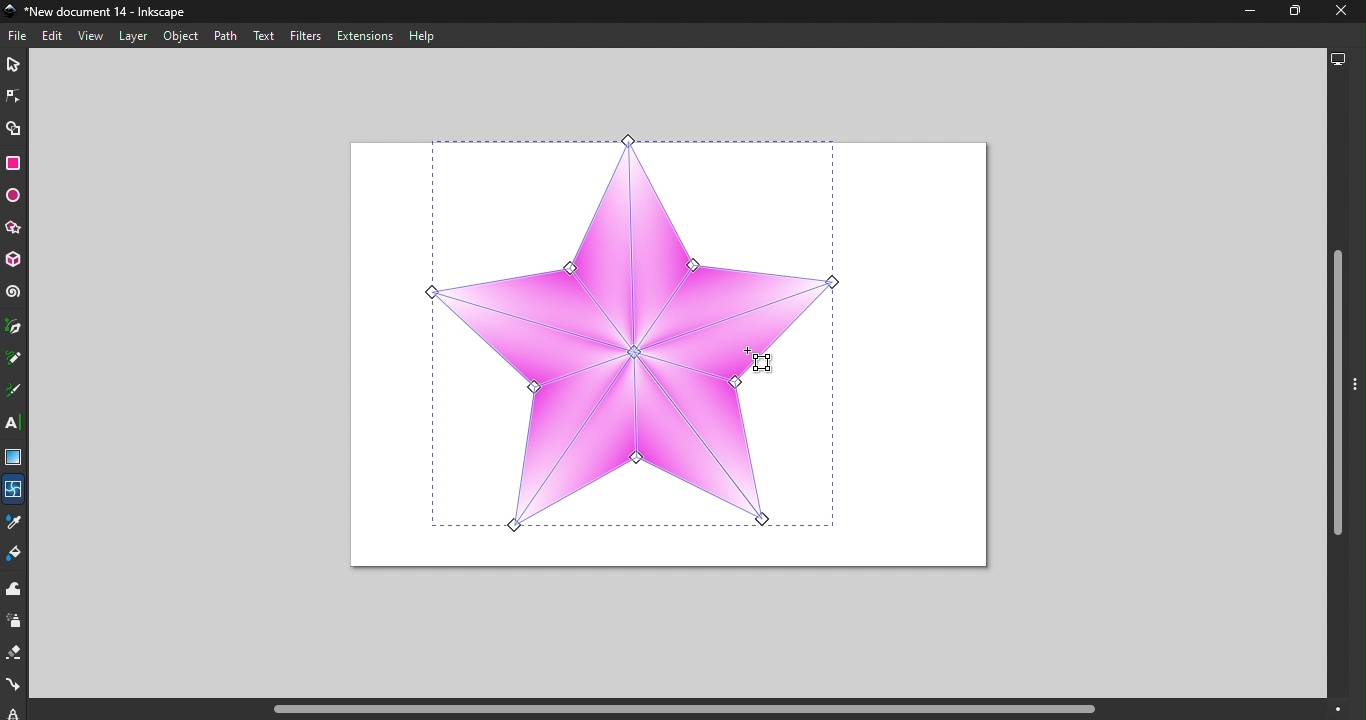  I want to click on Extensions, so click(364, 36).